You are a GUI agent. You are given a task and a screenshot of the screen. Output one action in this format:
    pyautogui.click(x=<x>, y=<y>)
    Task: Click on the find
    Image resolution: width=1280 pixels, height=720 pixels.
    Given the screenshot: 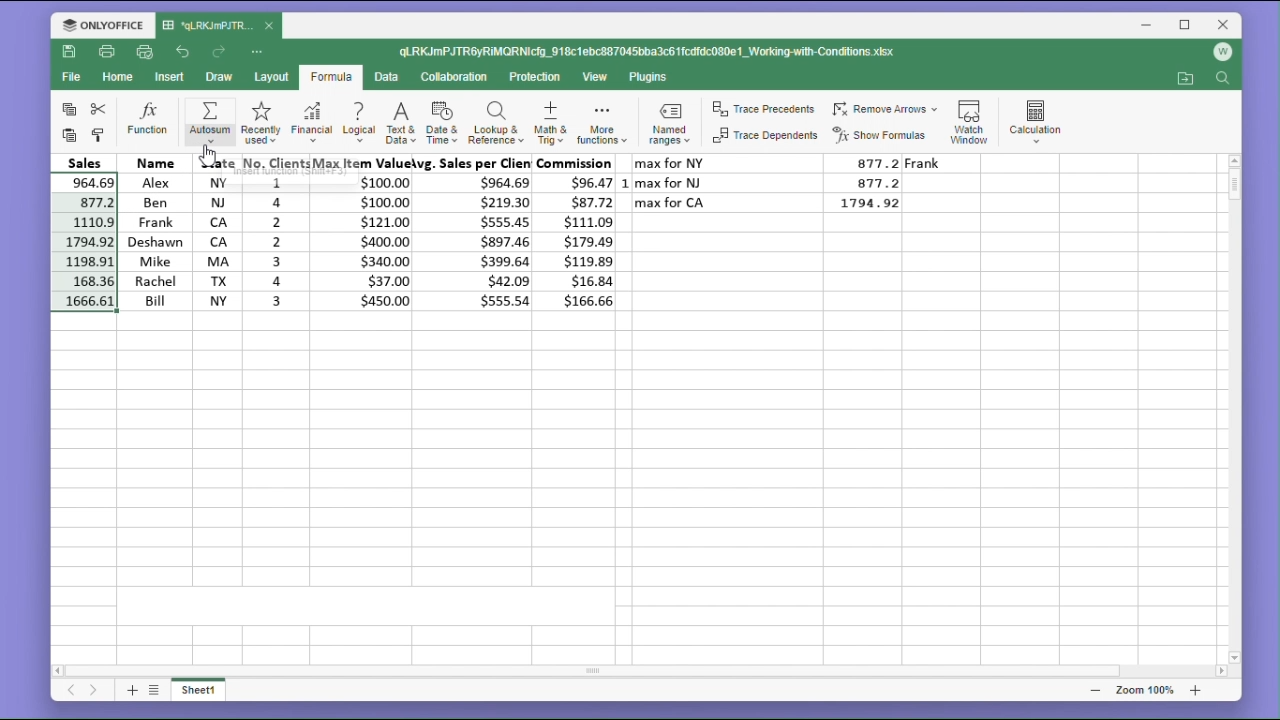 What is the action you would take?
    pyautogui.click(x=1225, y=80)
    